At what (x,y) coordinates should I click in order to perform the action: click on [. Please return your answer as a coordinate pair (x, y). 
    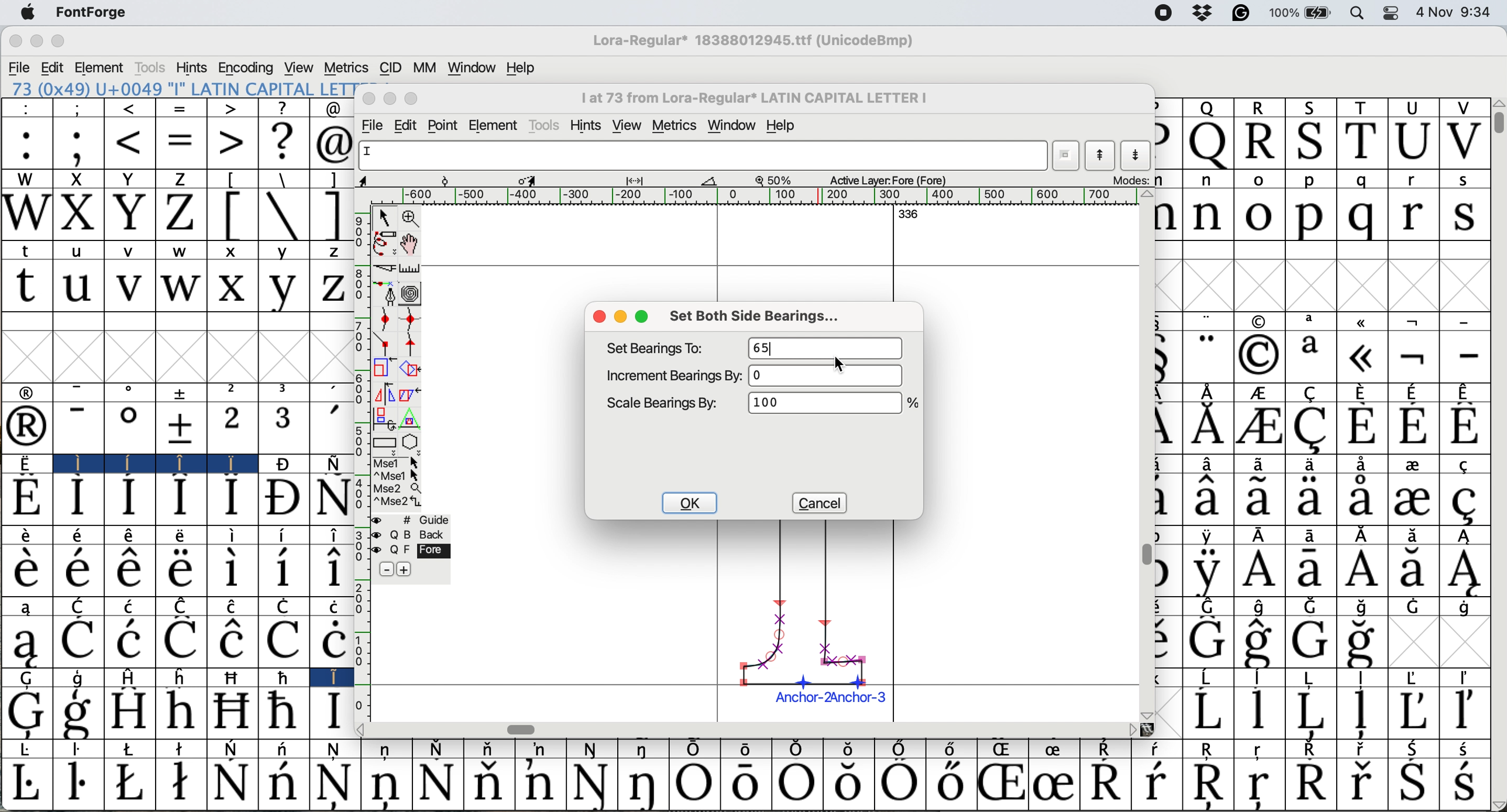
    Looking at the image, I should click on (232, 215).